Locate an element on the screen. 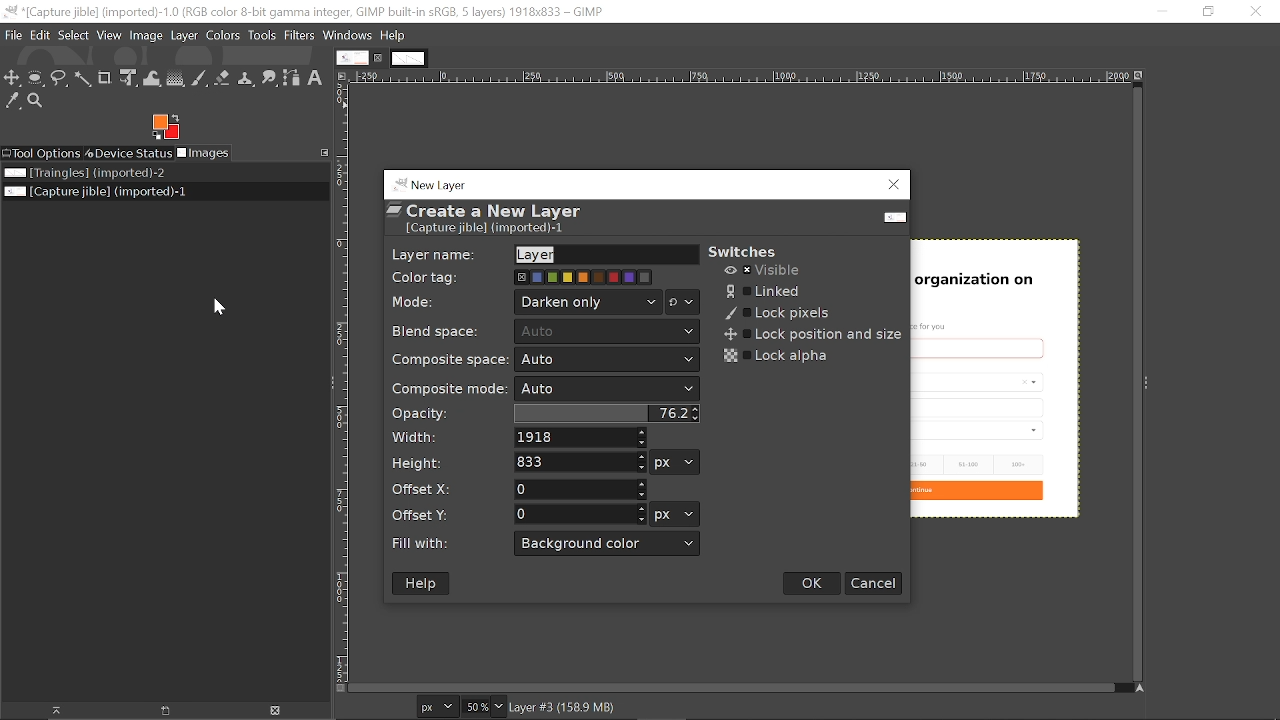 The image size is (1280, 720). = Create a New Layer
i rae a is located at coordinates (493, 217).